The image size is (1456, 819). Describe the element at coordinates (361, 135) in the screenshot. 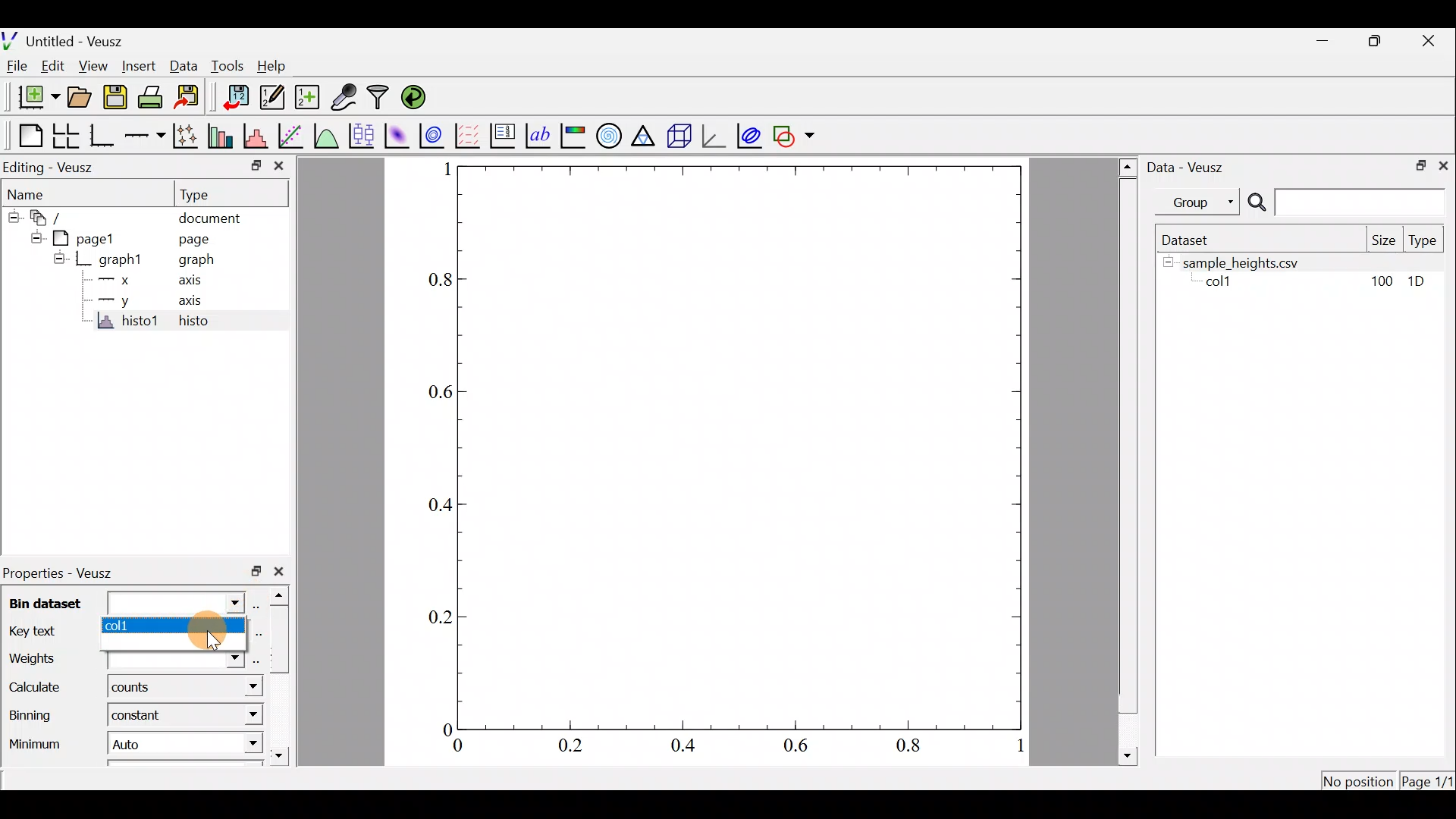

I see `plot box plots` at that location.